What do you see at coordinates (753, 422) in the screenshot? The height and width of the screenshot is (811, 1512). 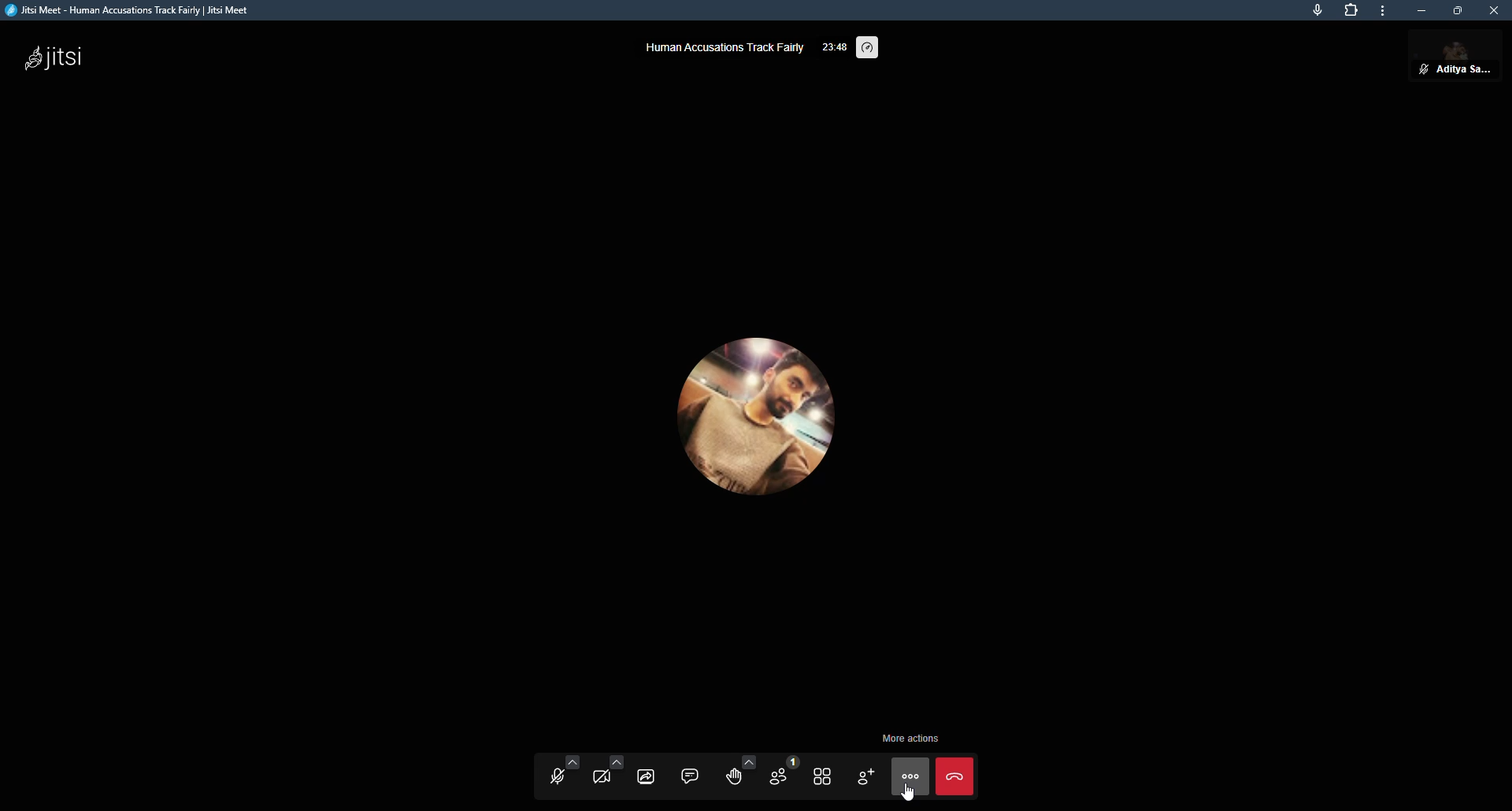 I see `profile` at bounding box center [753, 422].